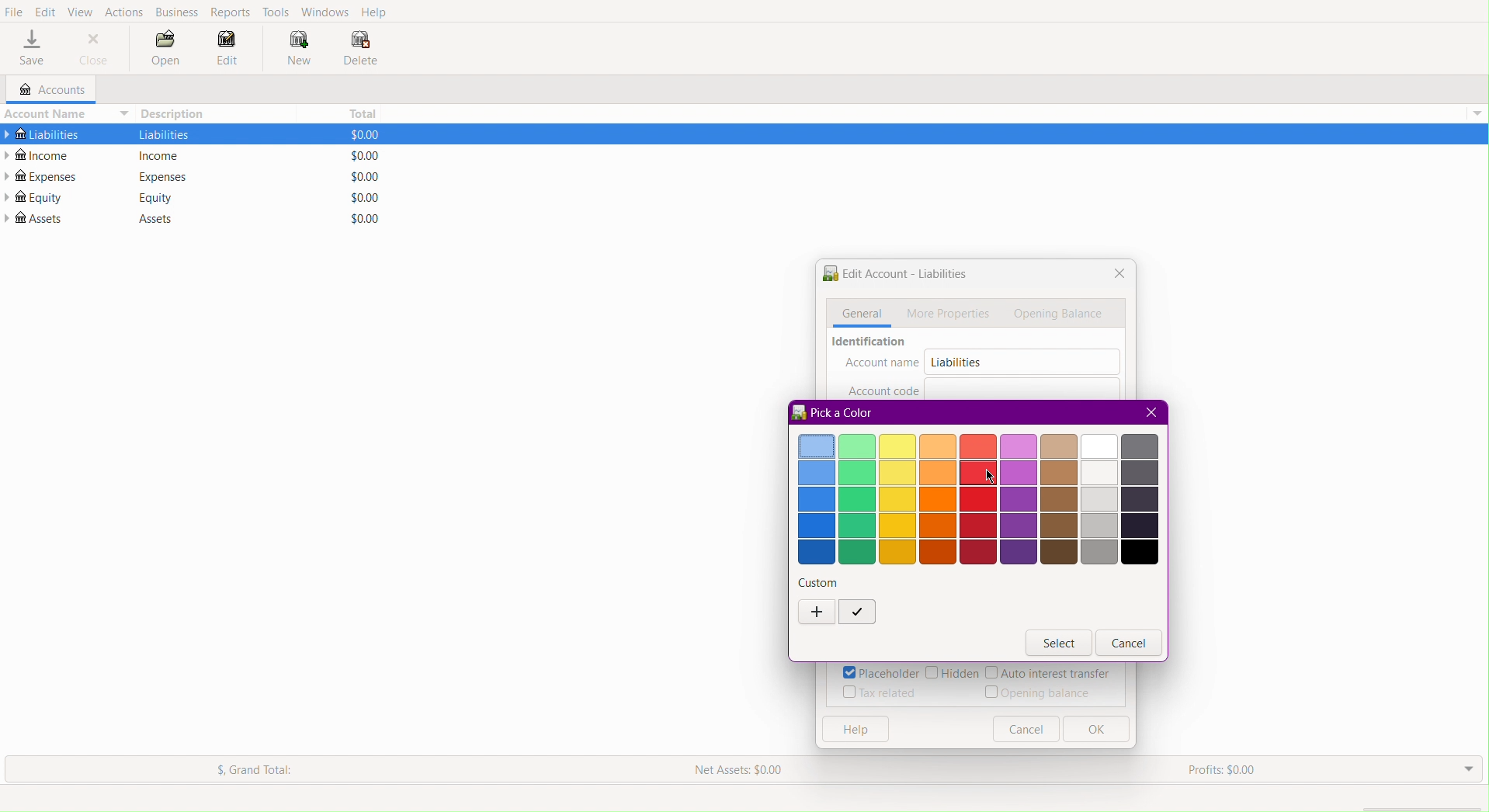 The height and width of the screenshot is (812, 1489). I want to click on drop down, so click(1480, 114).